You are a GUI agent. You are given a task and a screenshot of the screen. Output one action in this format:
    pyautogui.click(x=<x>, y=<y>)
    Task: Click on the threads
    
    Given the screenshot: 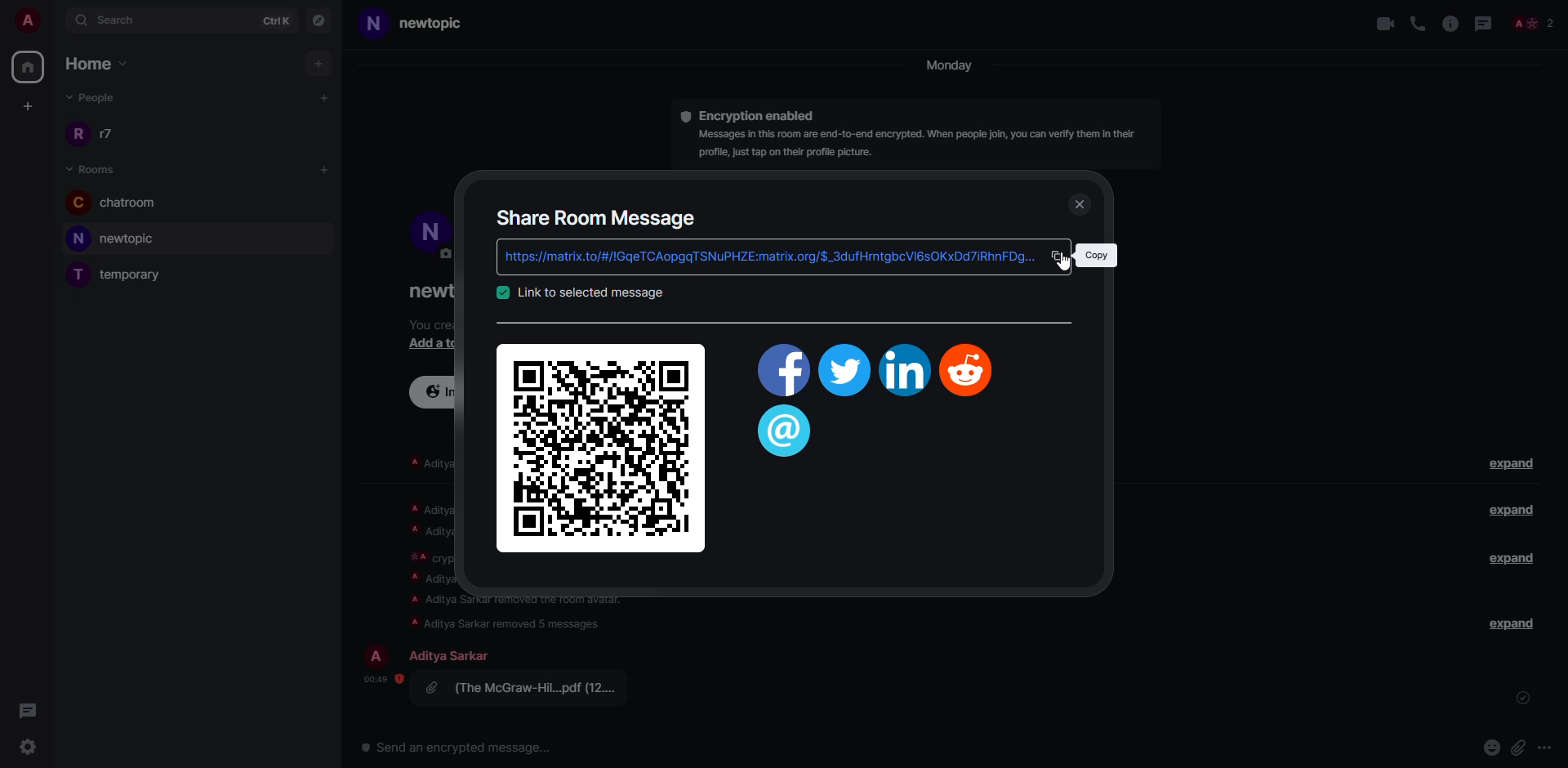 What is the action you would take?
    pyautogui.click(x=27, y=710)
    